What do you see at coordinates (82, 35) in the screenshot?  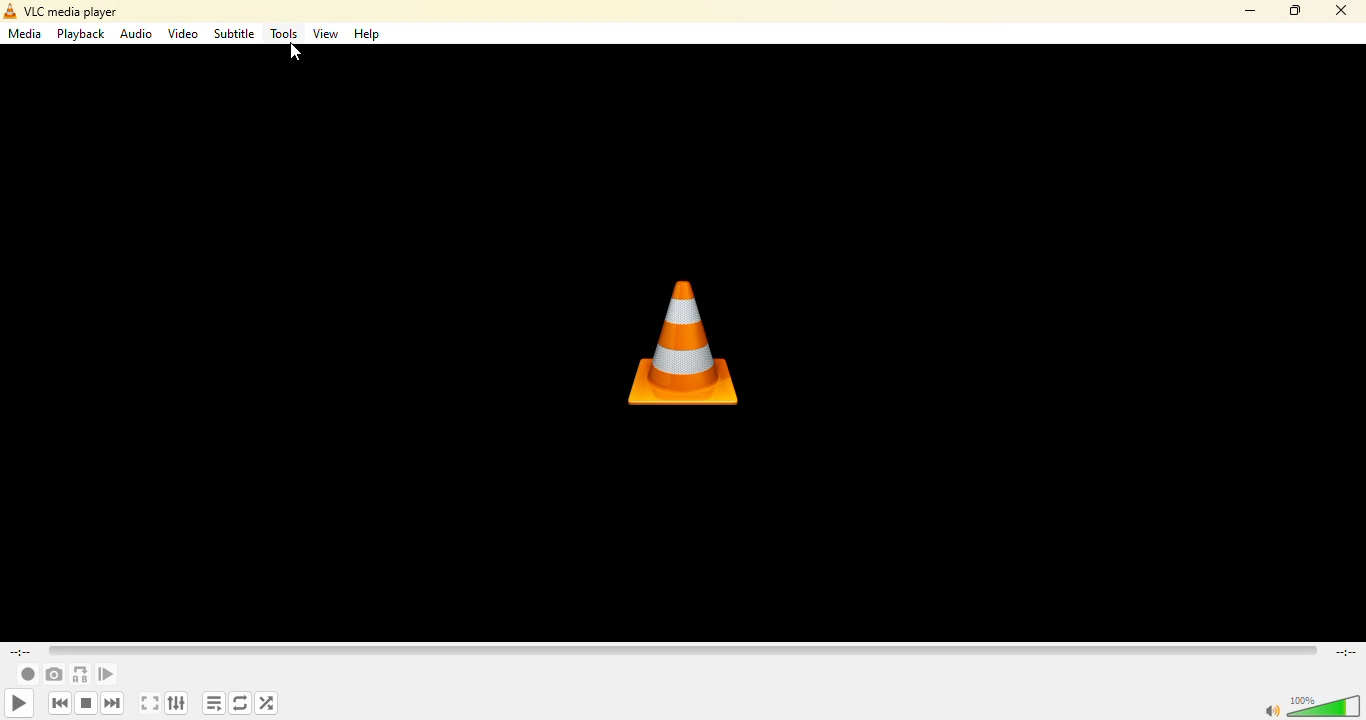 I see `playback` at bounding box center [82, 35].